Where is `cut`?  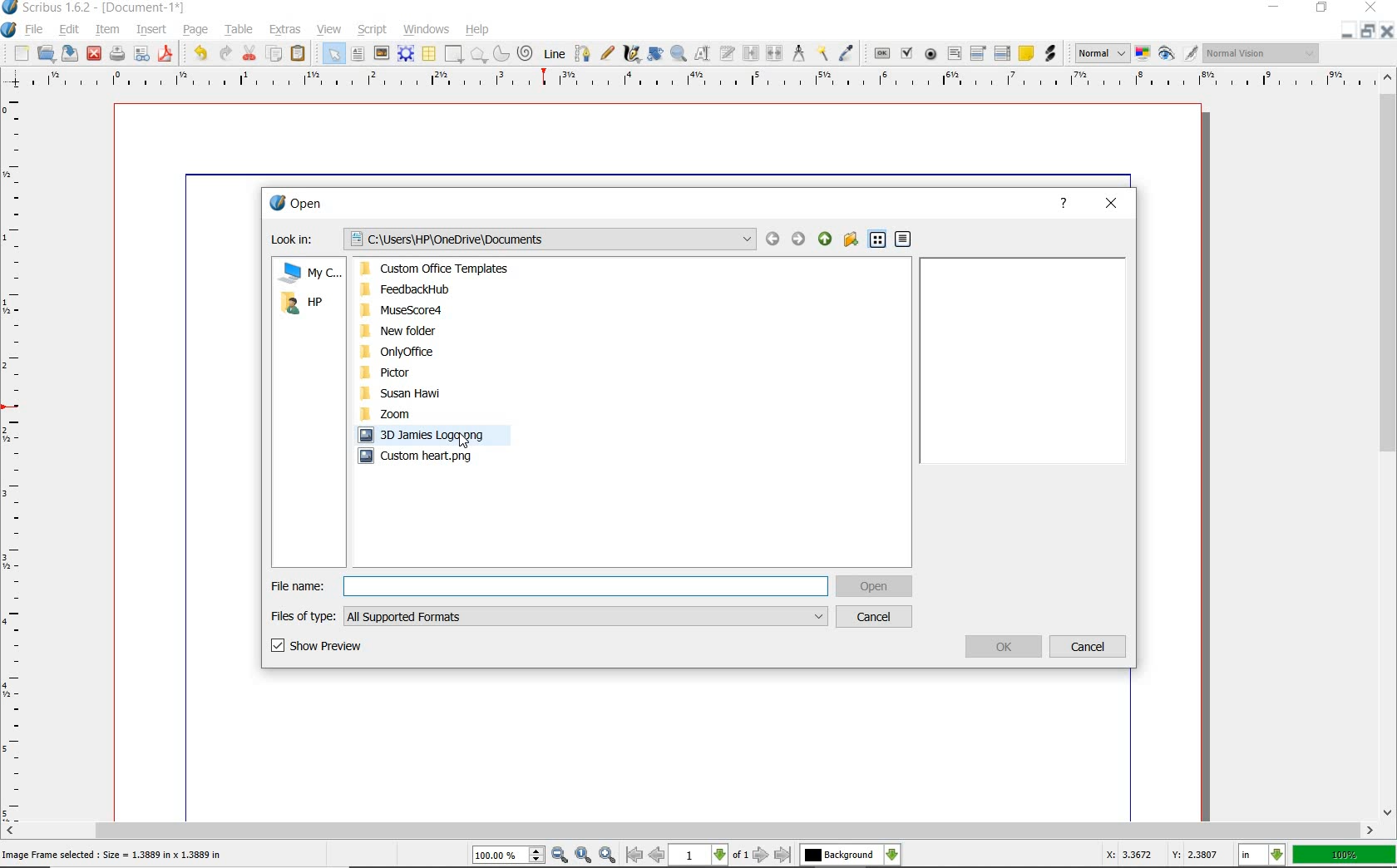
cut is located at coordinates (249, 53).